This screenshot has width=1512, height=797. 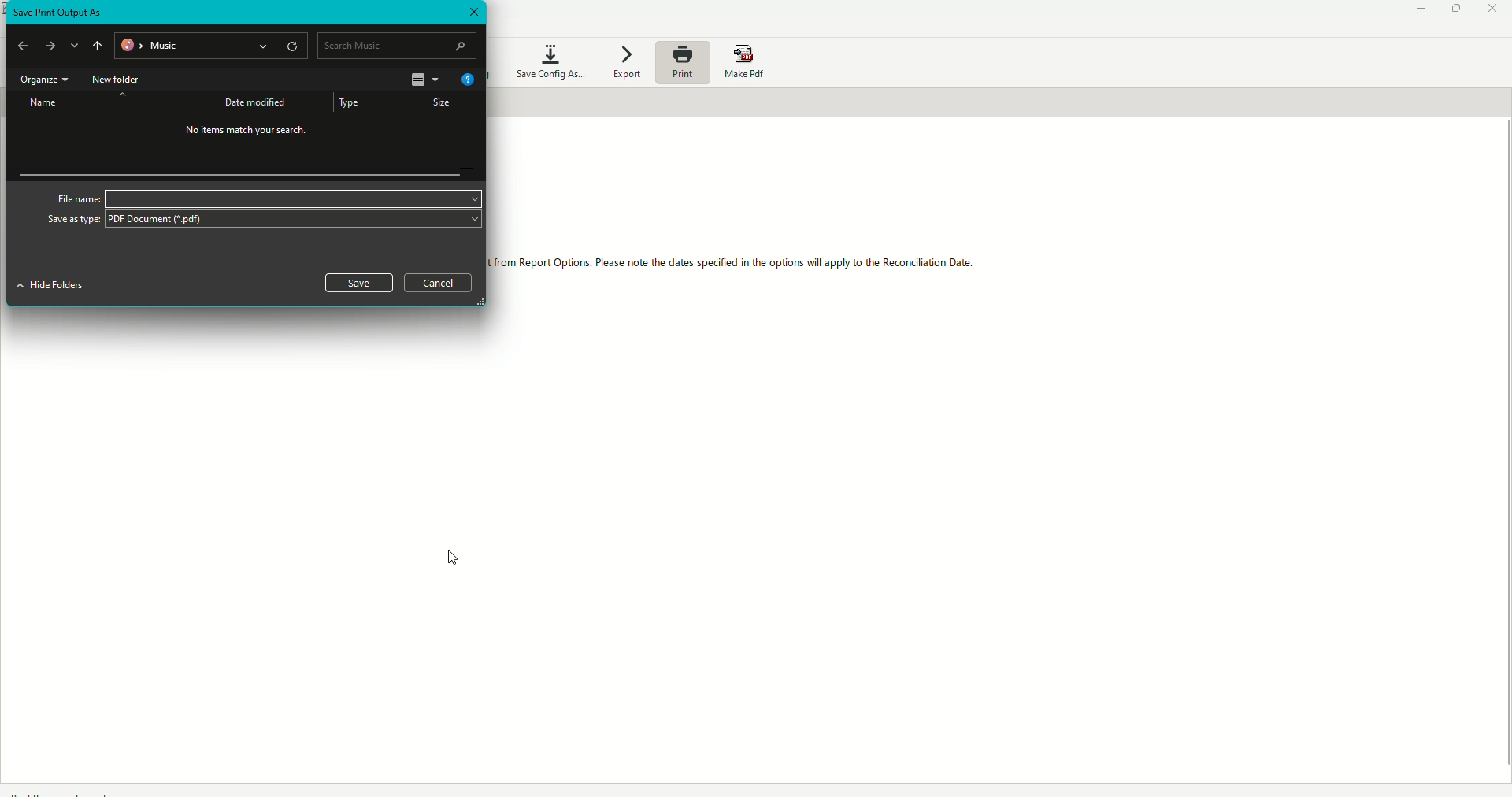 What do you see at coordinates (120, 80) in the screenshot?
I see `New Folder` at bounding box center [120, 80].